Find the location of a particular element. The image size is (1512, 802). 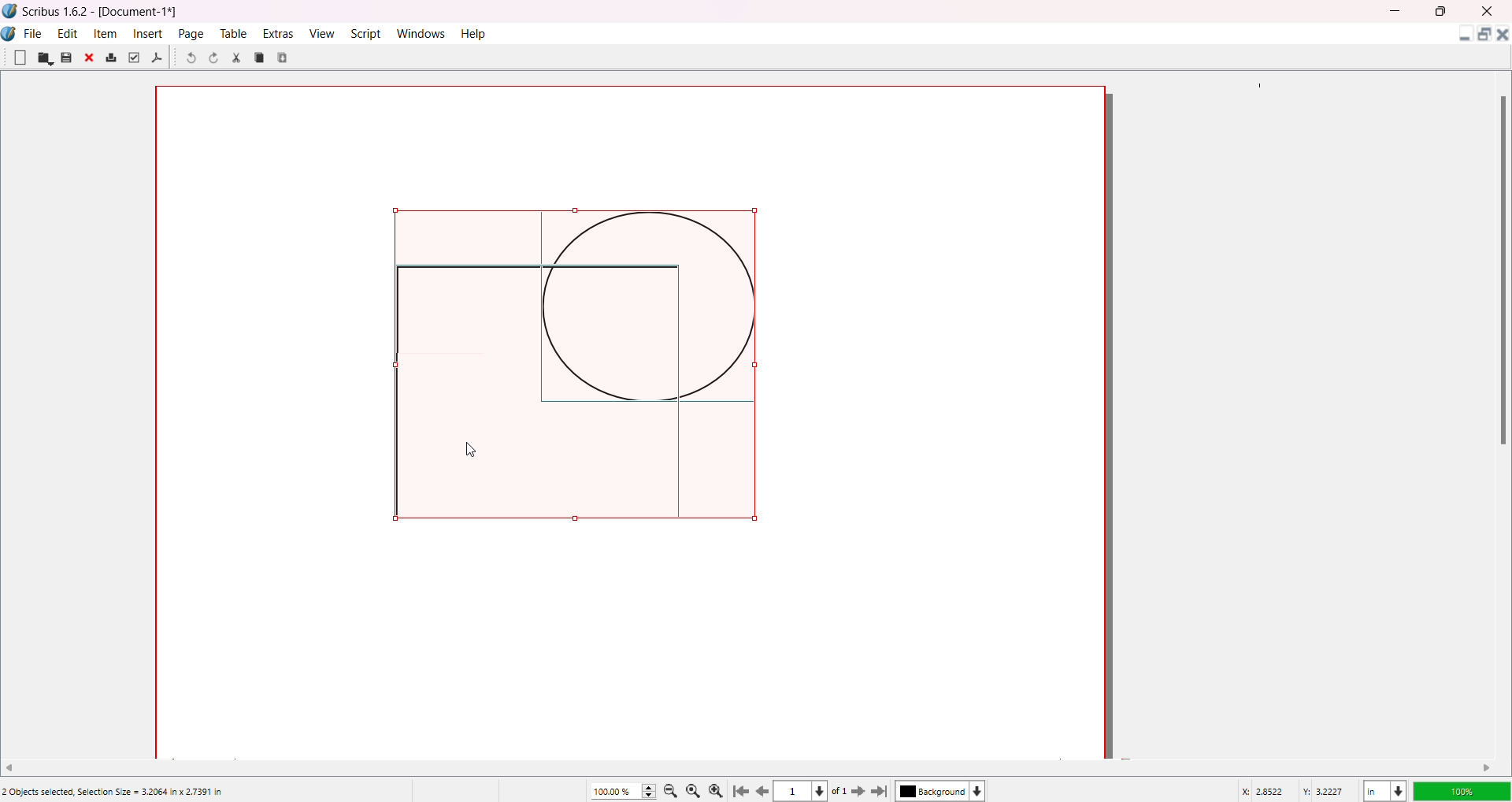

Maximize Document is located at coordinates (1483, 37).